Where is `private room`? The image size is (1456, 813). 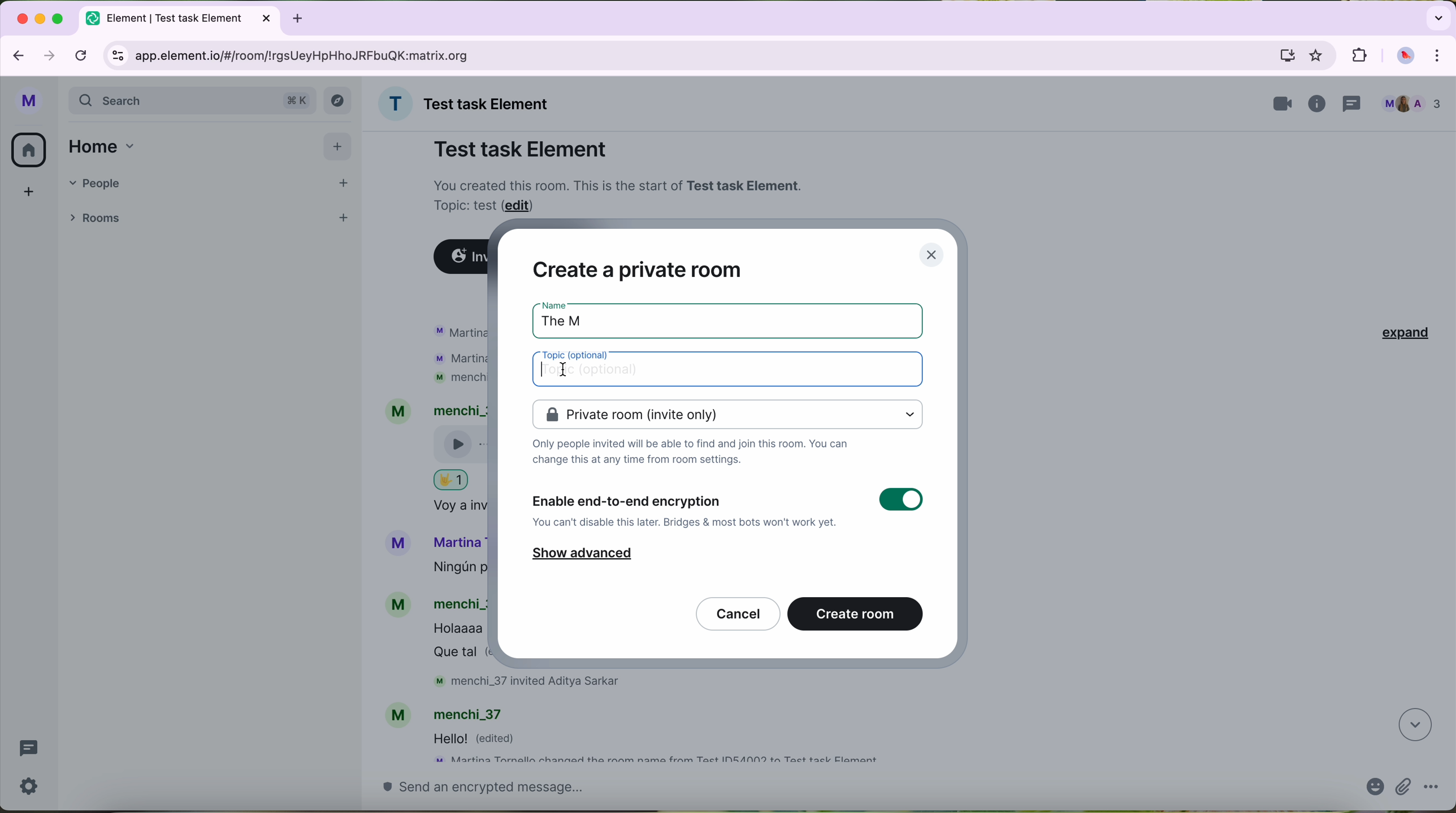 private room is located at coordinates (727, 414).